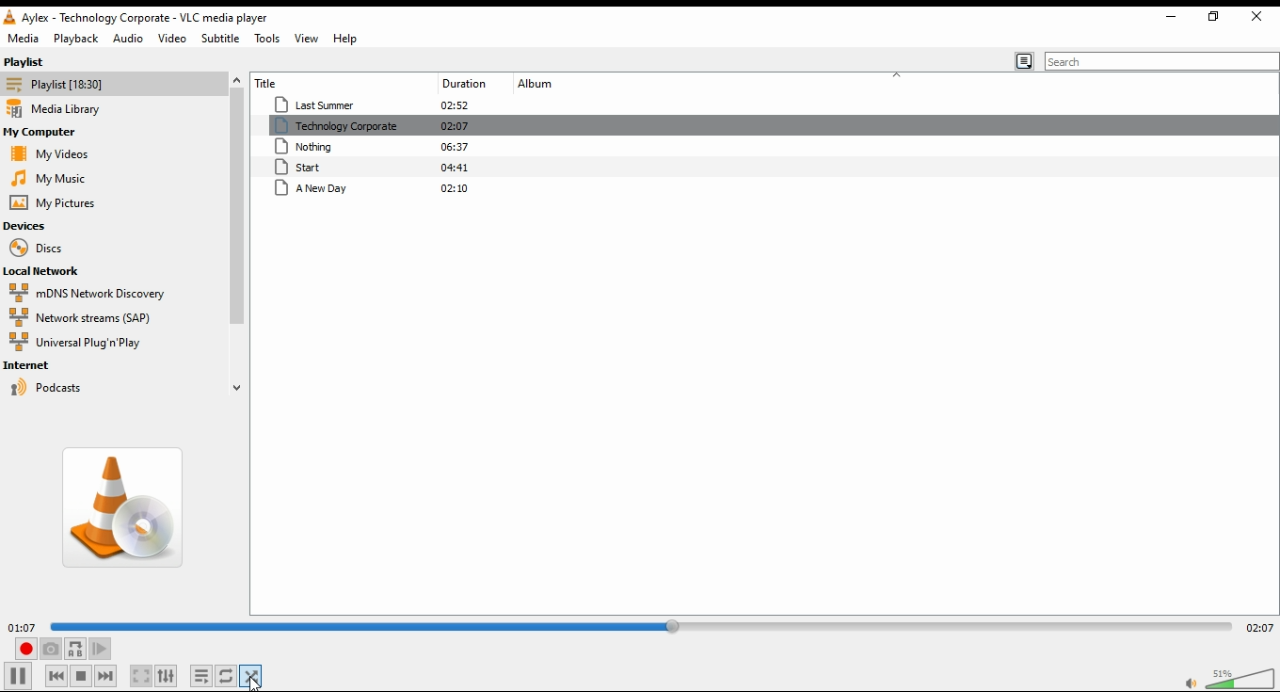 This screenshot has width=1280, height=692. Describe the element at coordinates (10, 16) in the screenshot. I see `vlc icon` at that location.